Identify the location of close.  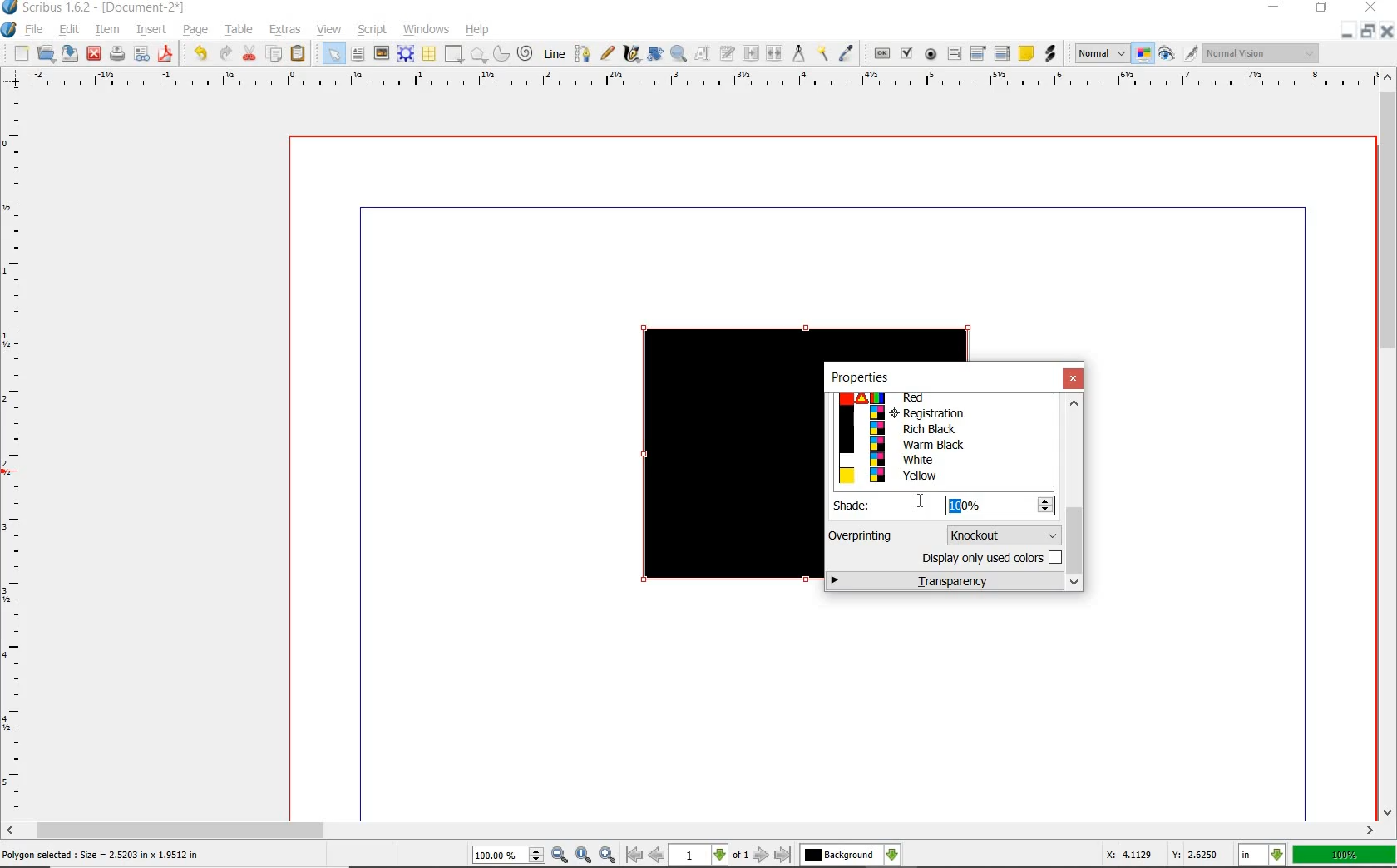
(93, 55).